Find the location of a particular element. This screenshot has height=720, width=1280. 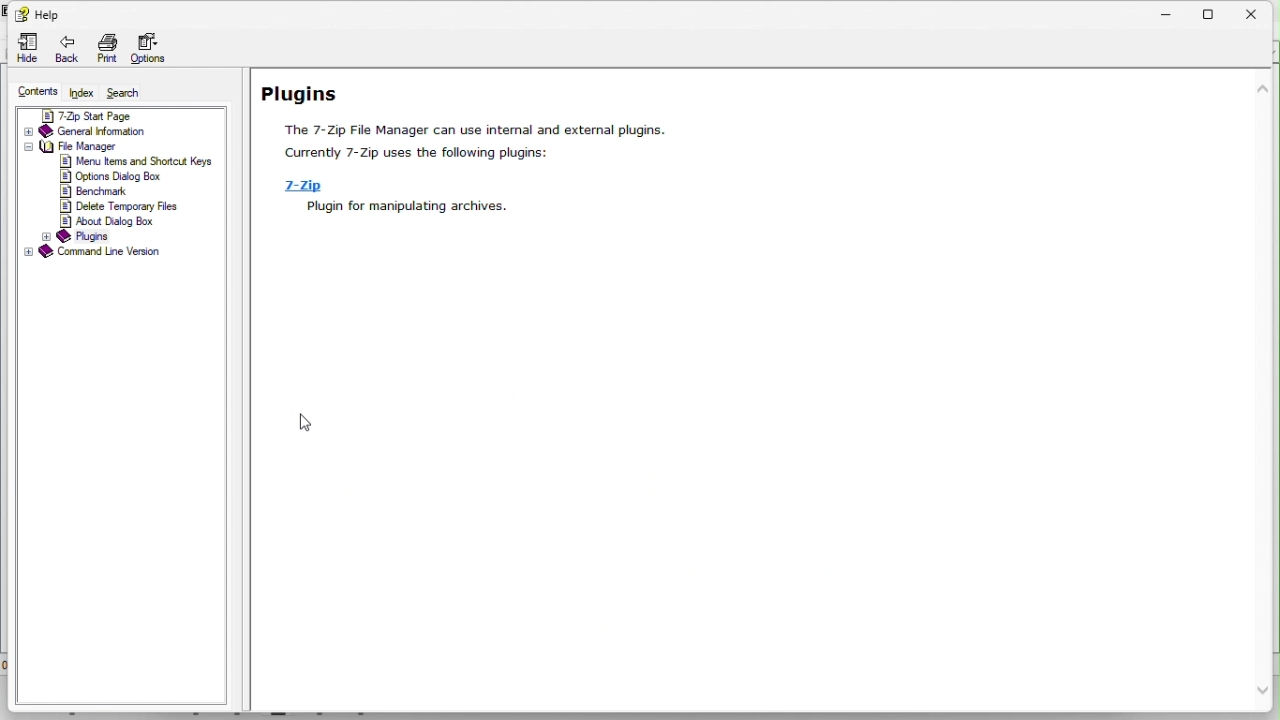

Command line version is located at coordinates (99, 253).